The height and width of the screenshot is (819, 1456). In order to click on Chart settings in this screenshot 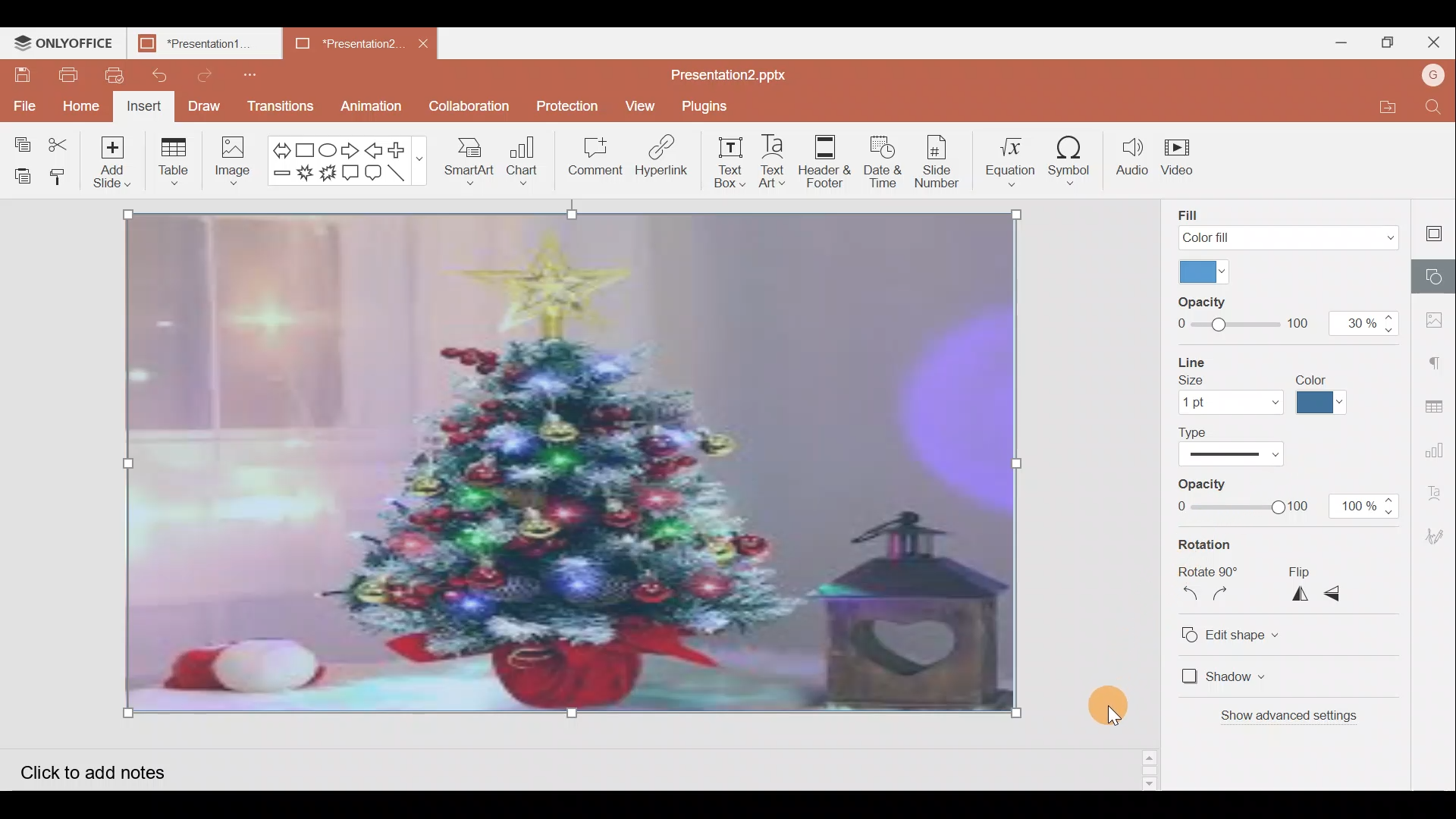, I will do `click(1439, 444)`.